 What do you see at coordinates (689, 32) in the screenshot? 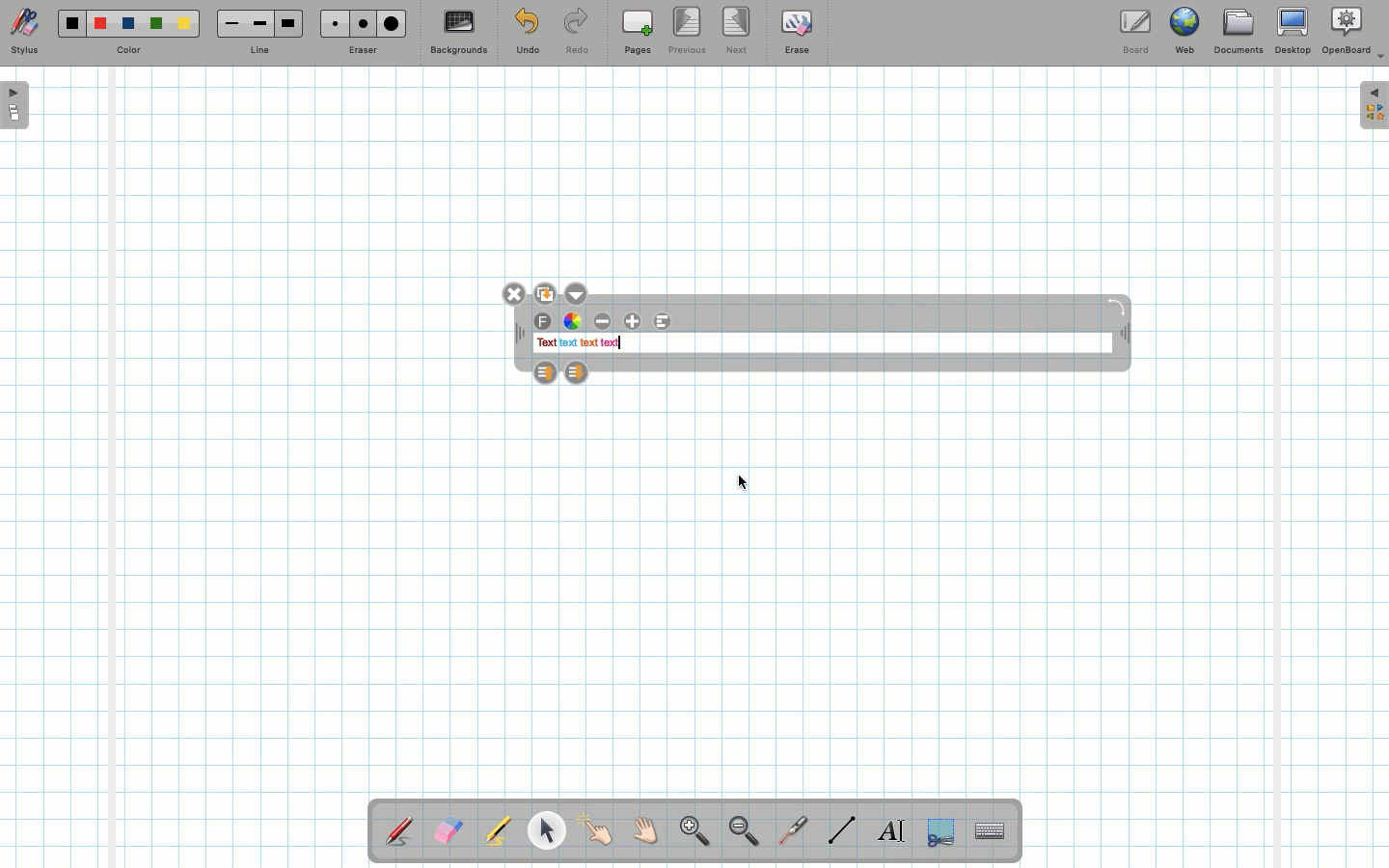
I see `Previous` at bounding box center [689, 32].